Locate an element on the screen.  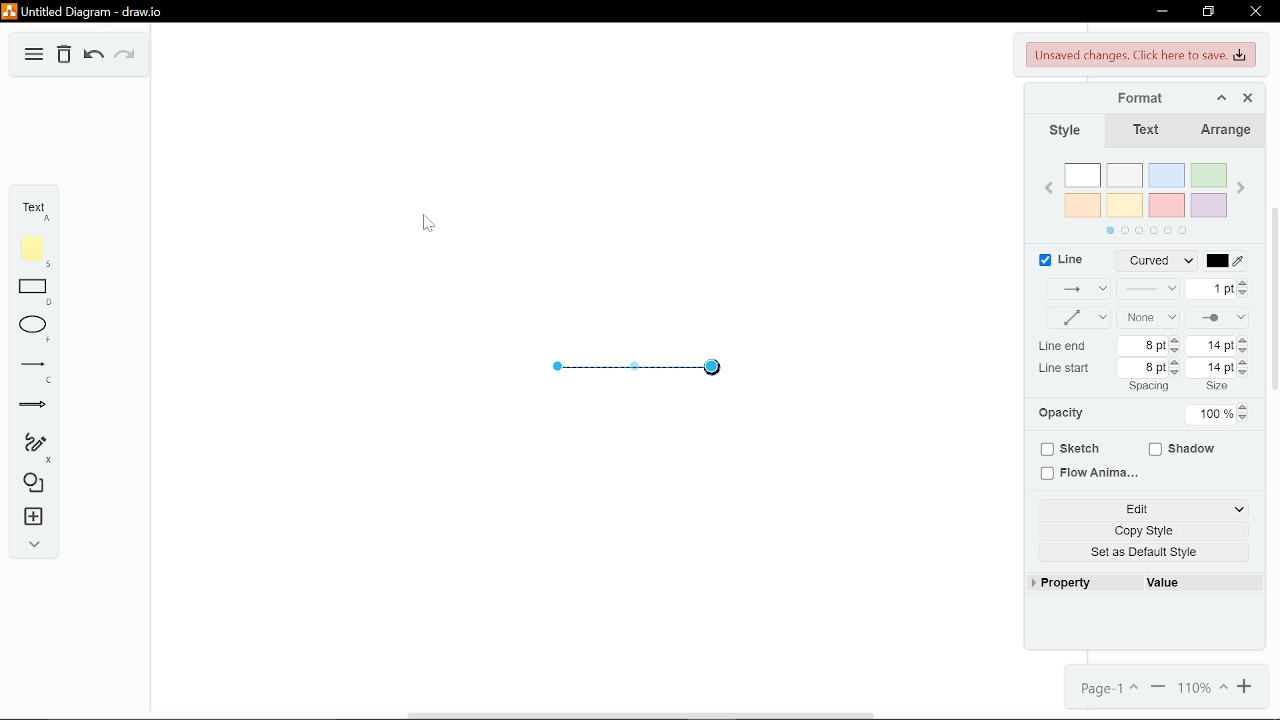
Rectangle is located at coordinates (34, 292).